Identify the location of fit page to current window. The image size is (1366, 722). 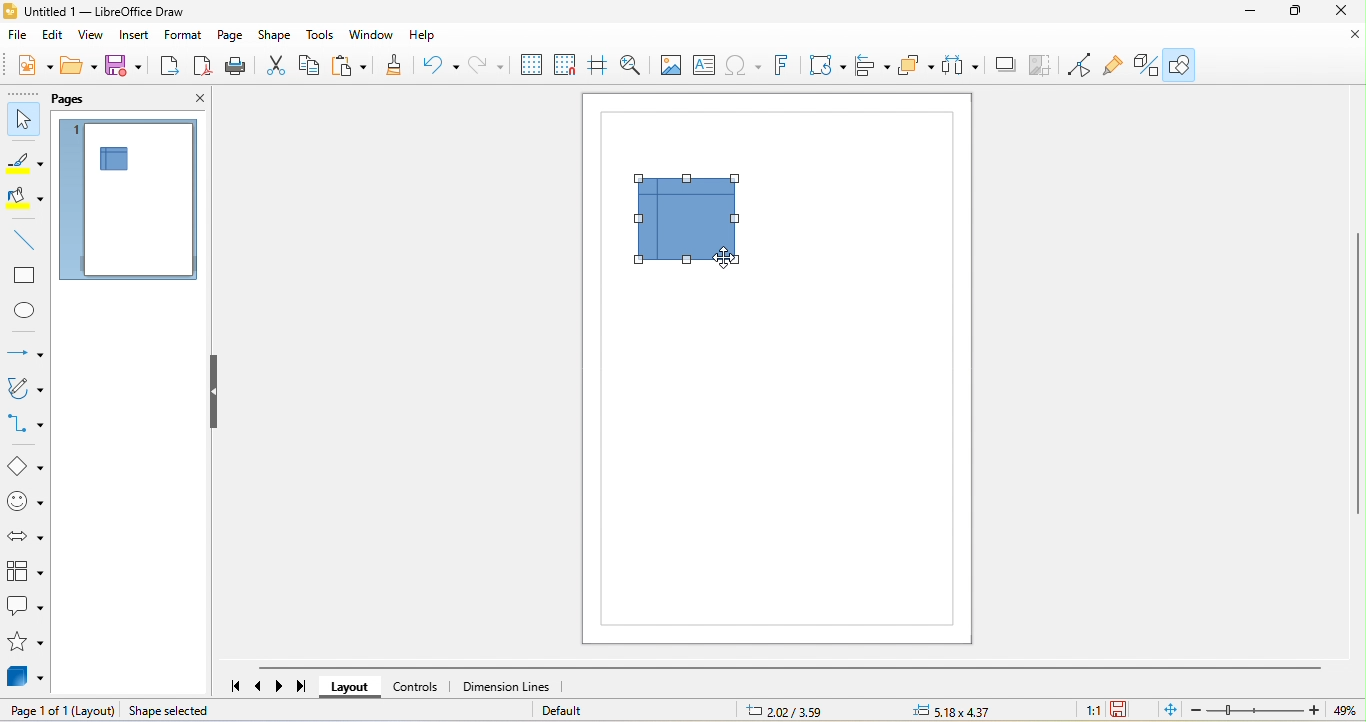
(1165, 709).